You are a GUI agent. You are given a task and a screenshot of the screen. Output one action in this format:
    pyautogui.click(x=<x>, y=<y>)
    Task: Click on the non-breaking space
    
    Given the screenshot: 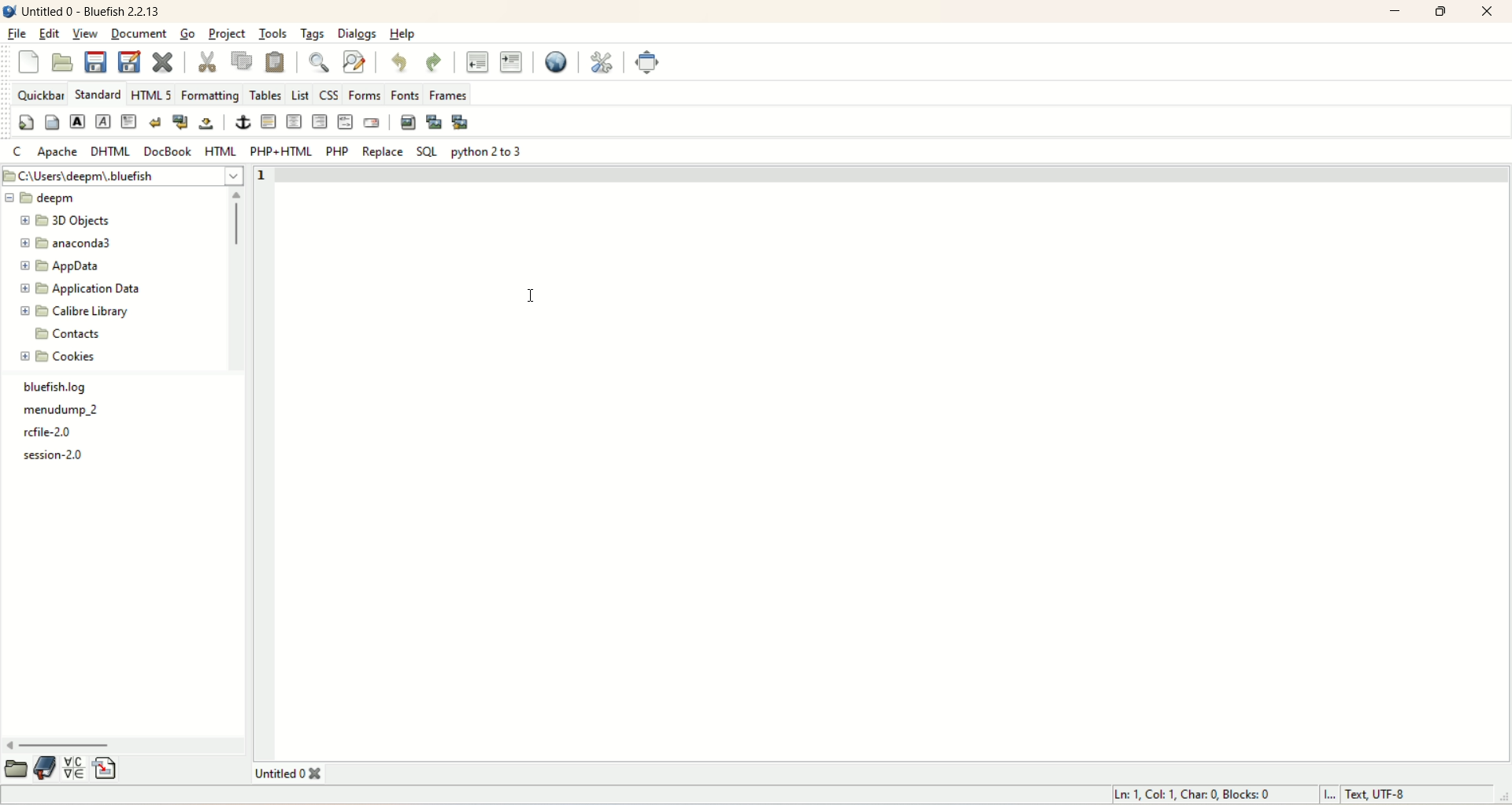 What is the action you would take?
    pyautogui.click(x=209, y=123)
    